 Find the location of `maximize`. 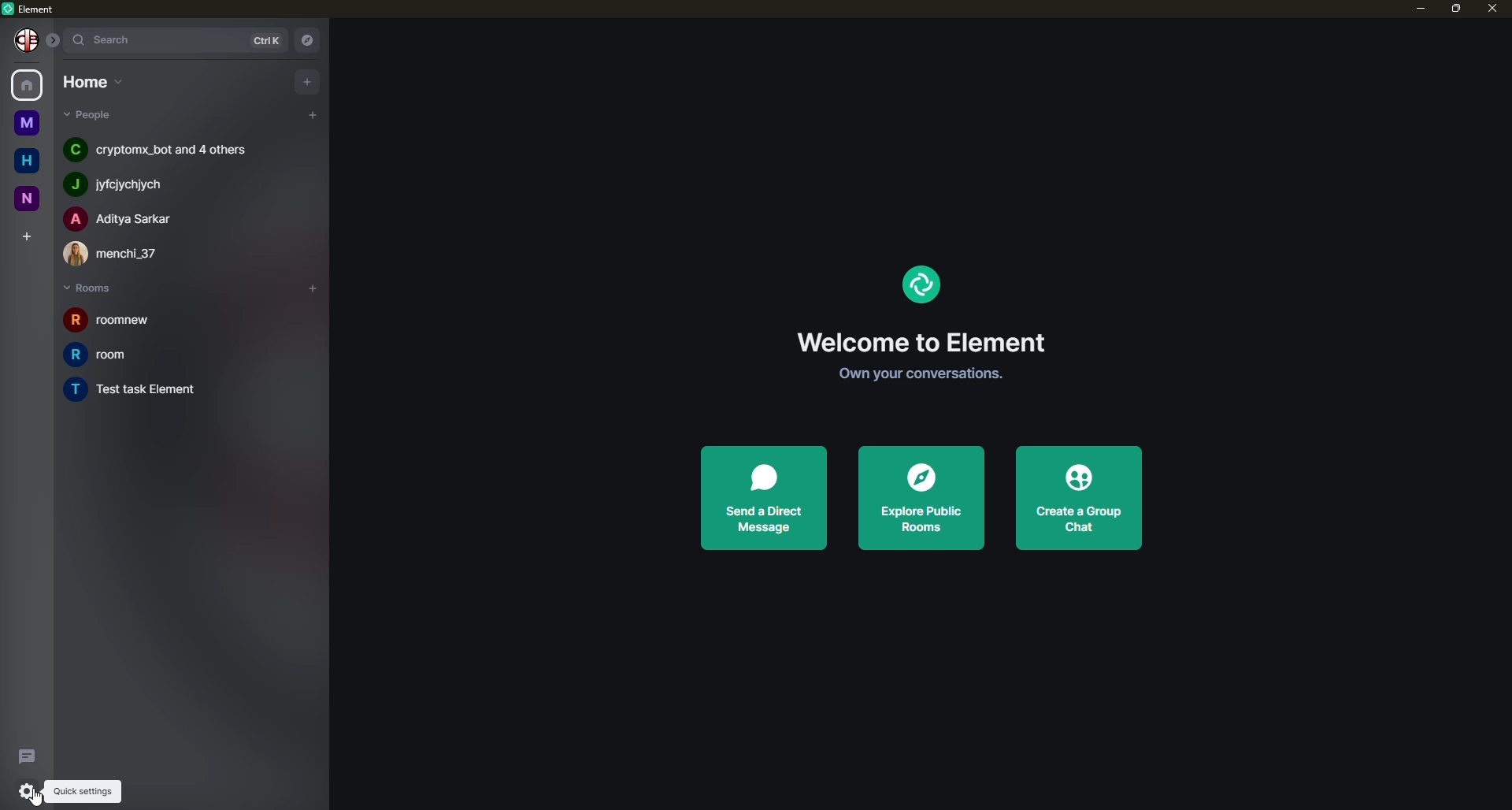

maximize is located at coordinates (1455, 9).